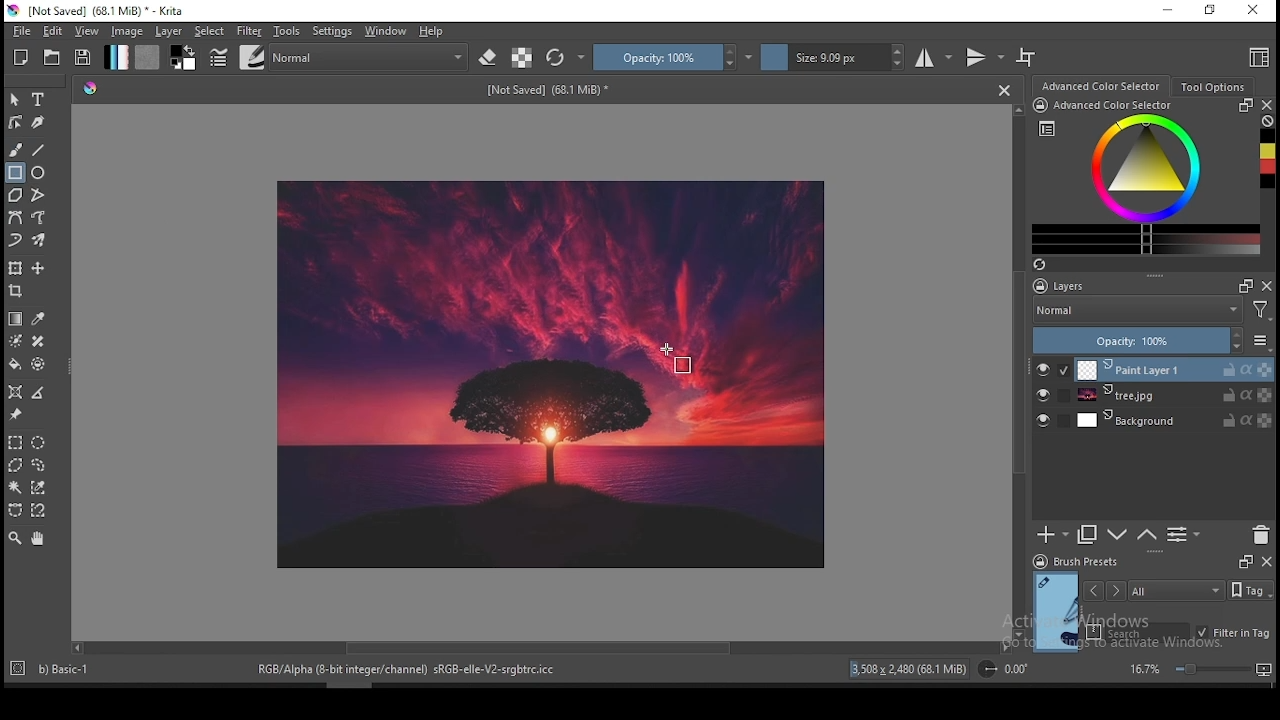  Describe the element at coordinates (1252, 10) in the screenshot. I see `close window` at that location.